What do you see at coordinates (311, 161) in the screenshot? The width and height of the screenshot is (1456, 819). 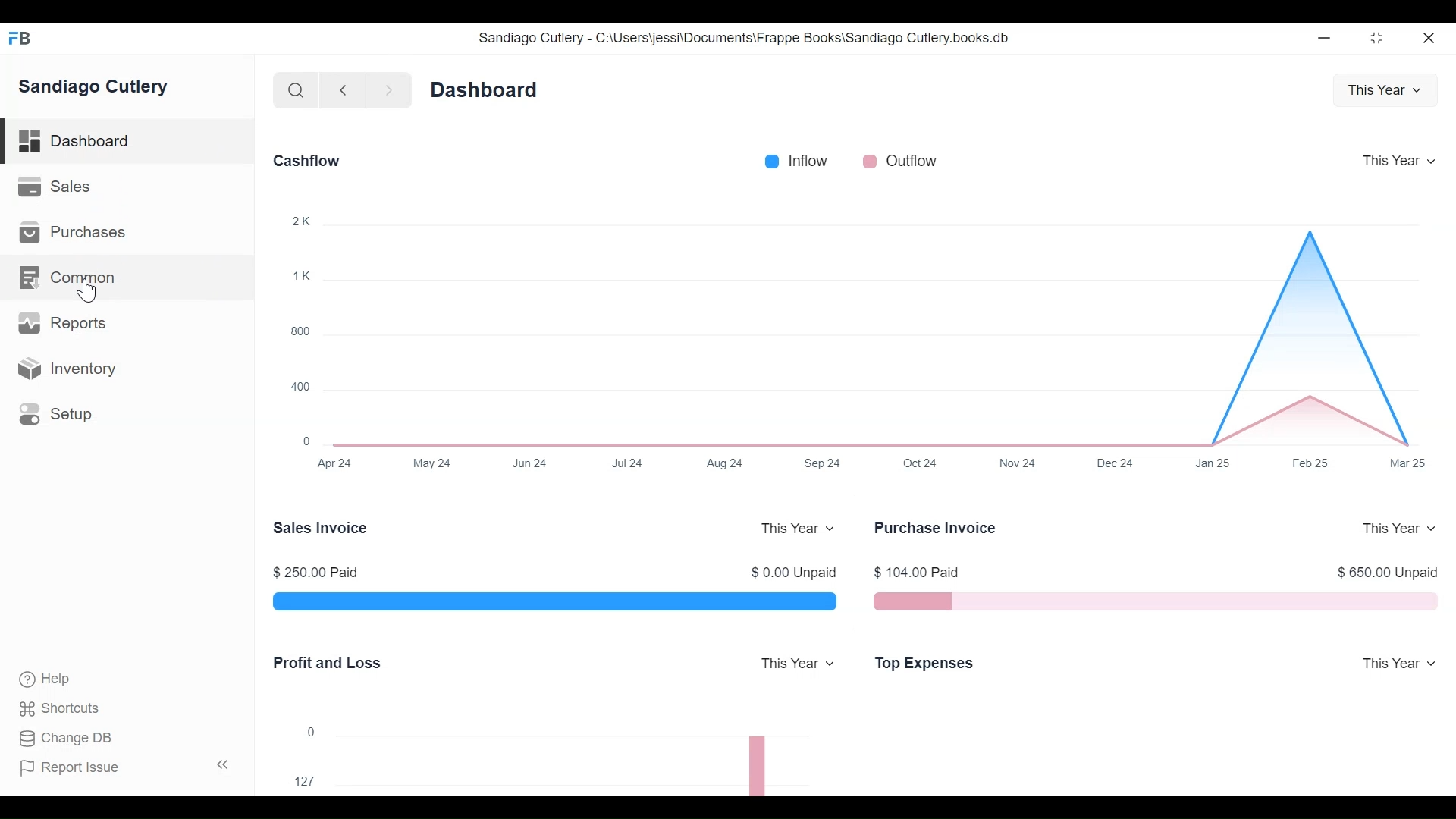 I see `Cashflow` at bounding box center [311, 161].